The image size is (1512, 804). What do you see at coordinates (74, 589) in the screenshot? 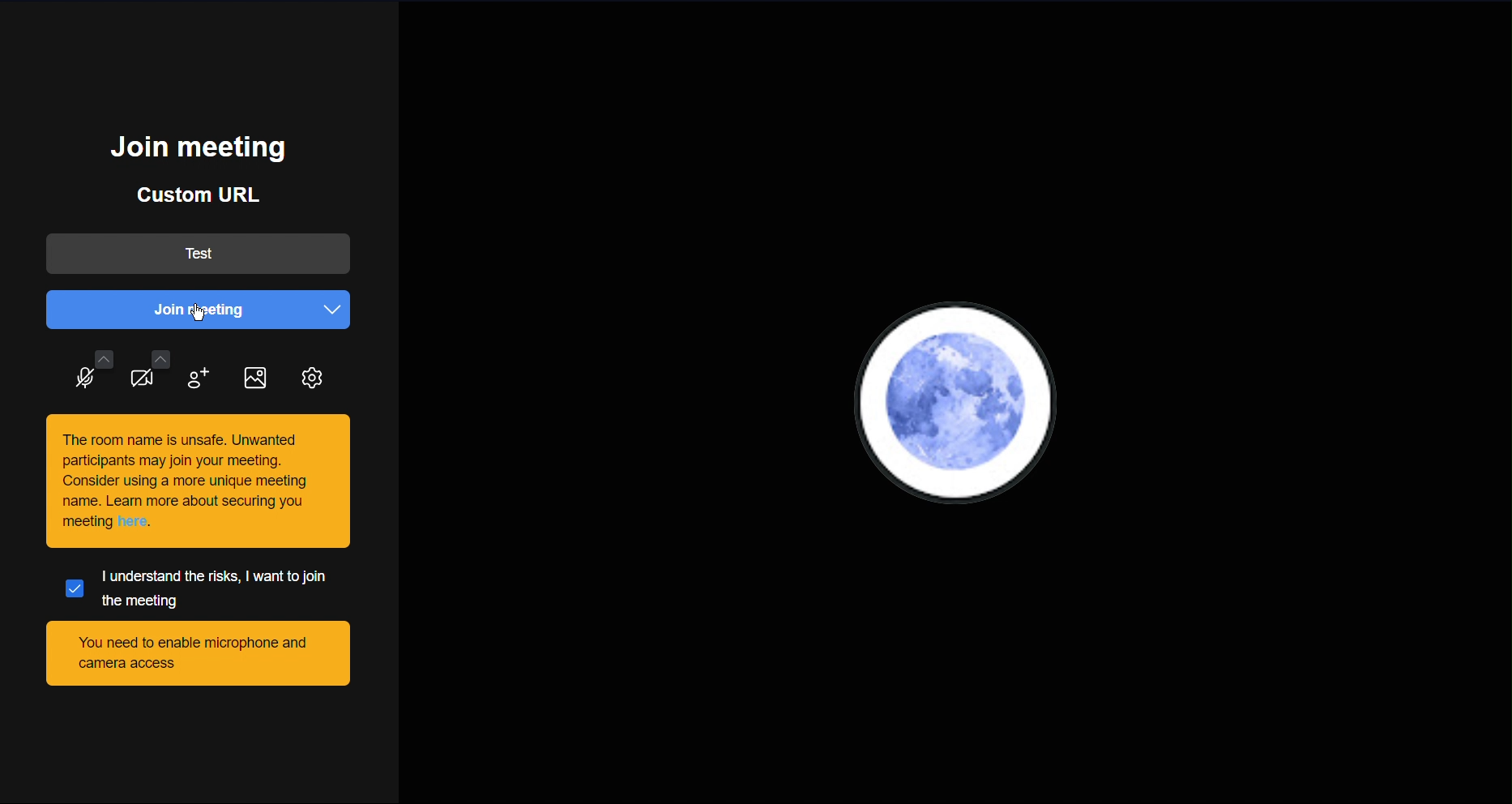
I see `Selected` at bounding box center [74, 589].